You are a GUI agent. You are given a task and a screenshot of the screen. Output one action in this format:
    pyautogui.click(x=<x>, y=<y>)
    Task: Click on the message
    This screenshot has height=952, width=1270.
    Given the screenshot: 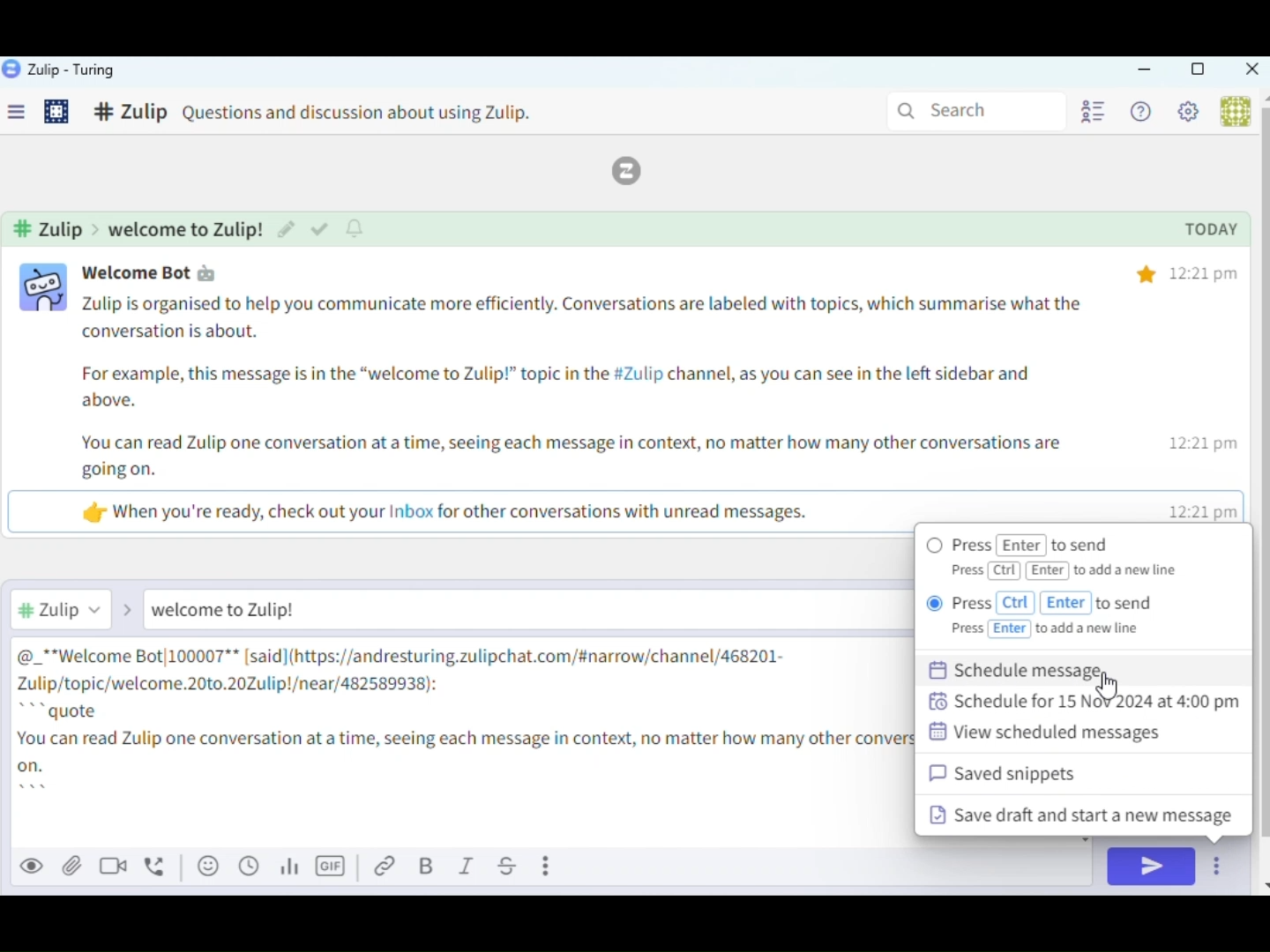 What is the action you would take?
    pyautogui.click(x=583, y=406)
    